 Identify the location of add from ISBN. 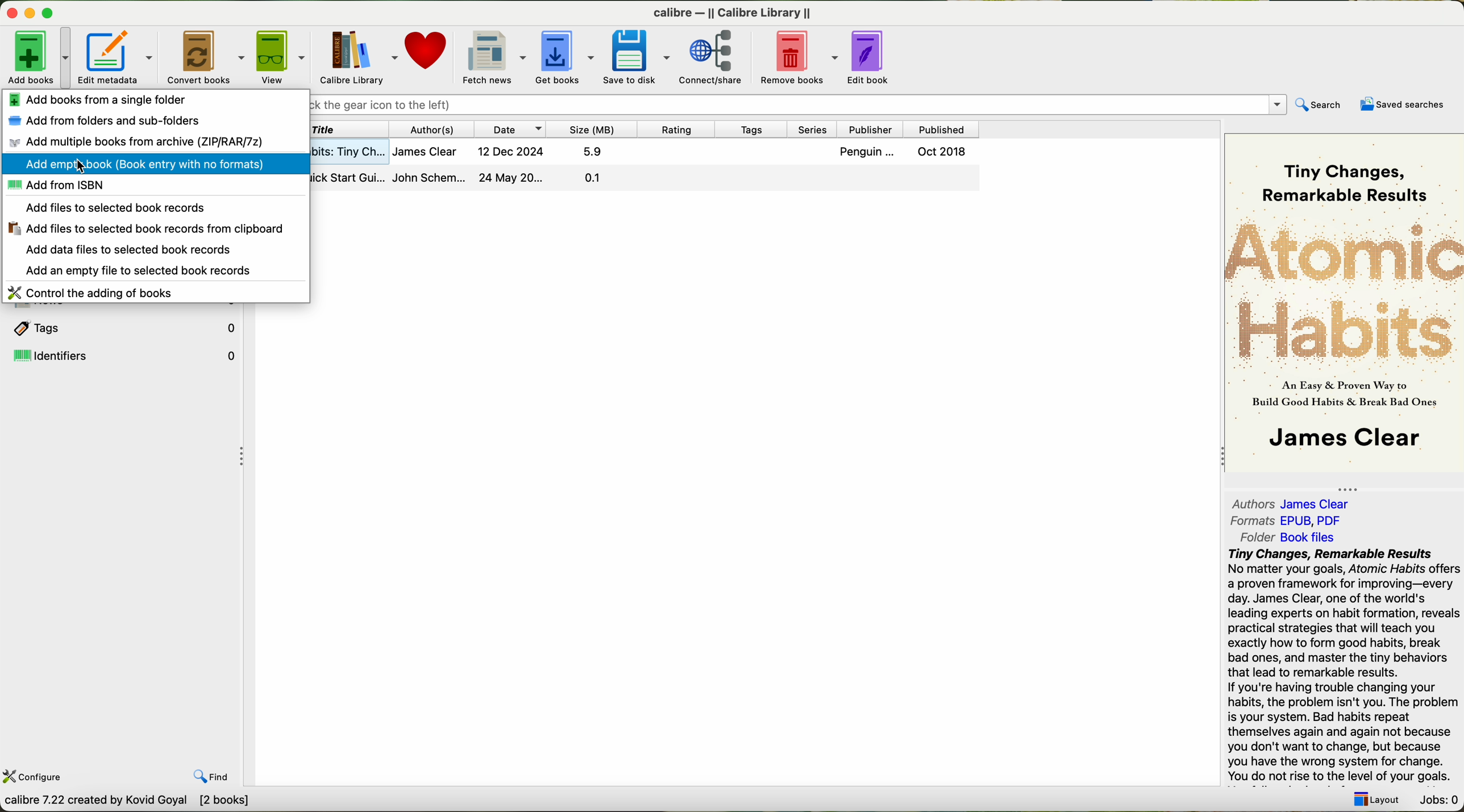
(55, 187).